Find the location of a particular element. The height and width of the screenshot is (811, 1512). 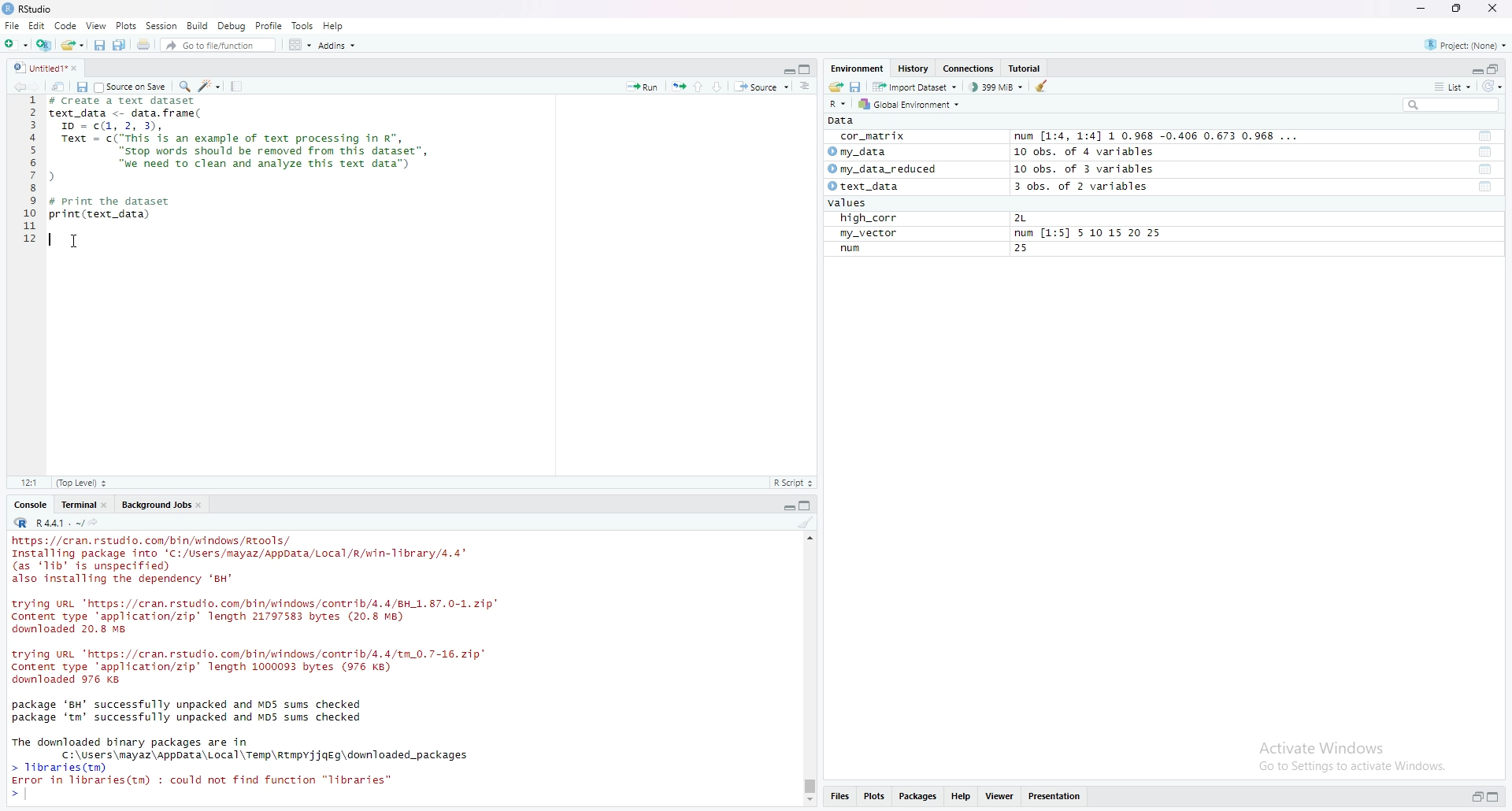

save current document is located at coordinates (98, 46).